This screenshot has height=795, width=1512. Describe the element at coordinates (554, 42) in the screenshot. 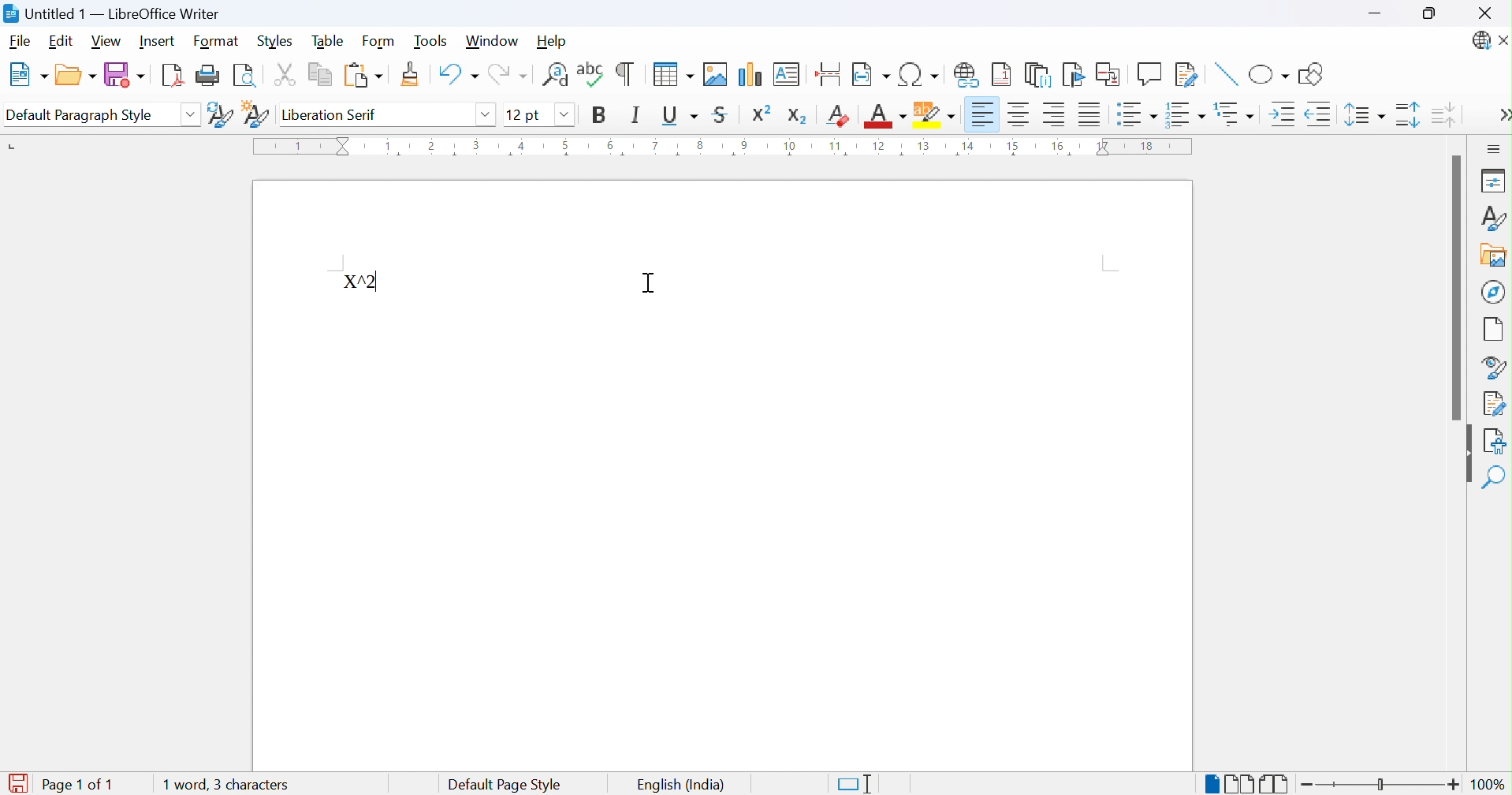

I see `Help` at that location.